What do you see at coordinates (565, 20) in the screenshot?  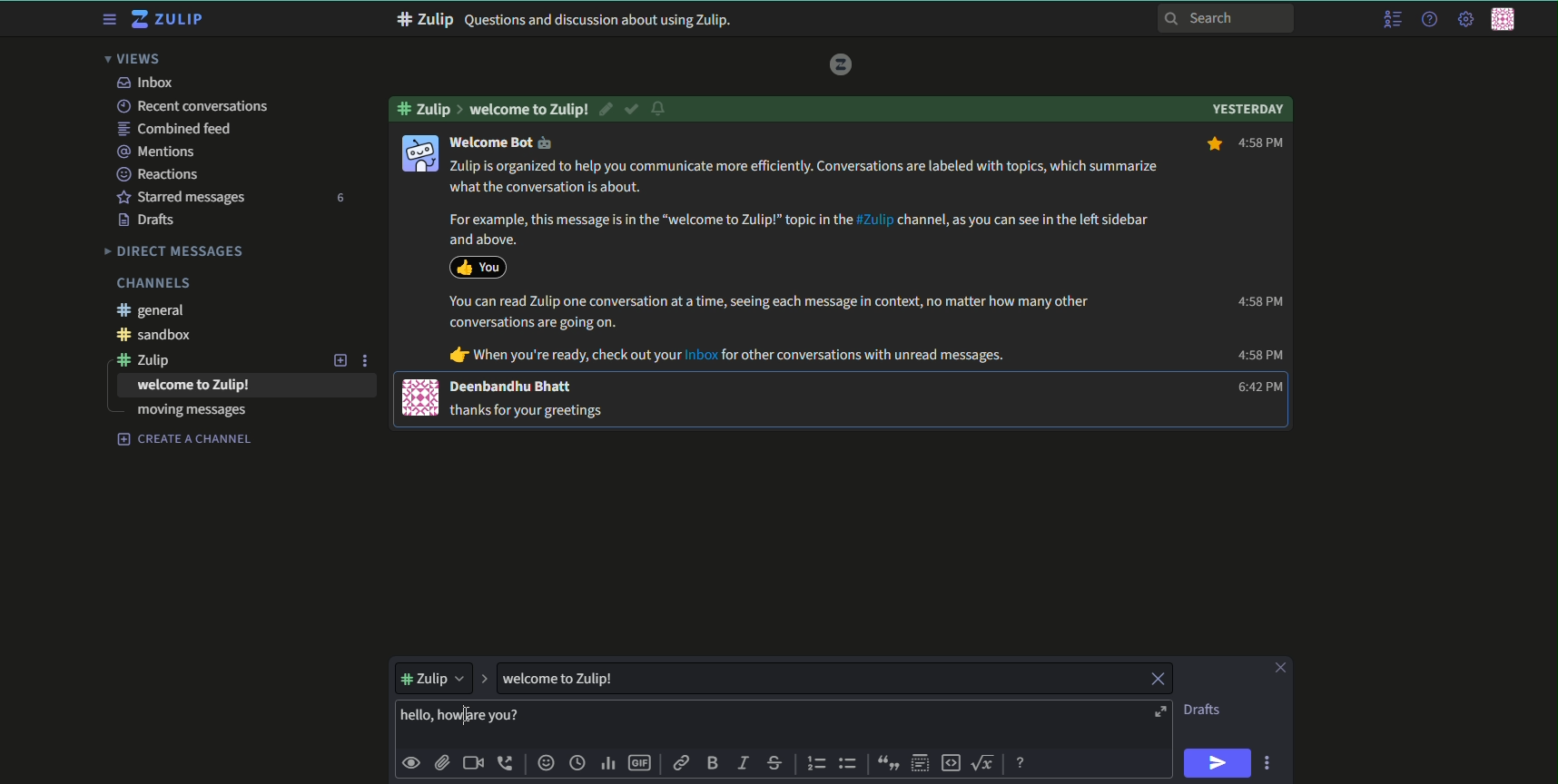 I see `# Zulip Questions and discussion about using Zulip.` at bounding box center [565, 20].